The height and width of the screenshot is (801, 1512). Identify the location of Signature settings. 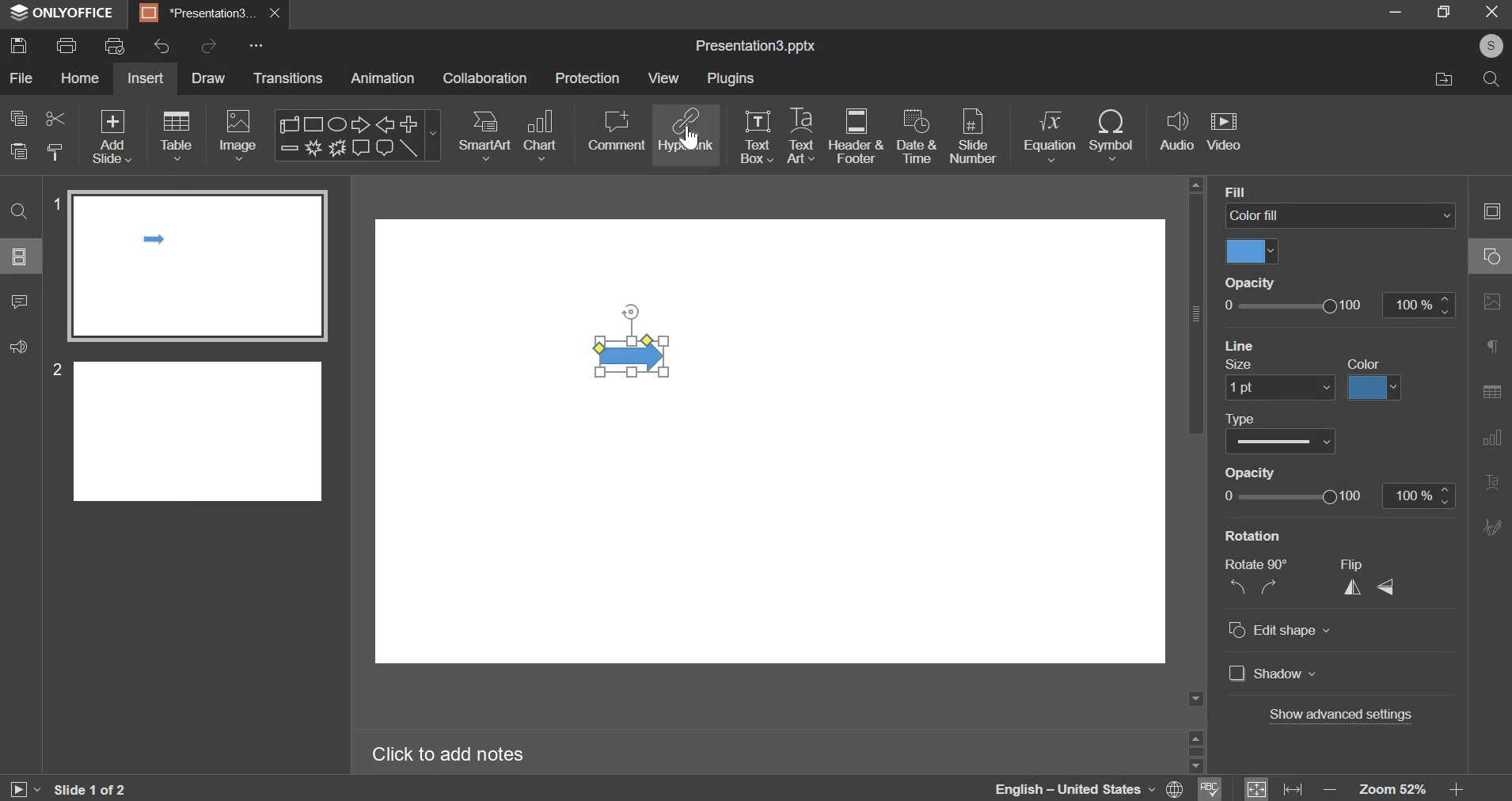
(1492, 526).